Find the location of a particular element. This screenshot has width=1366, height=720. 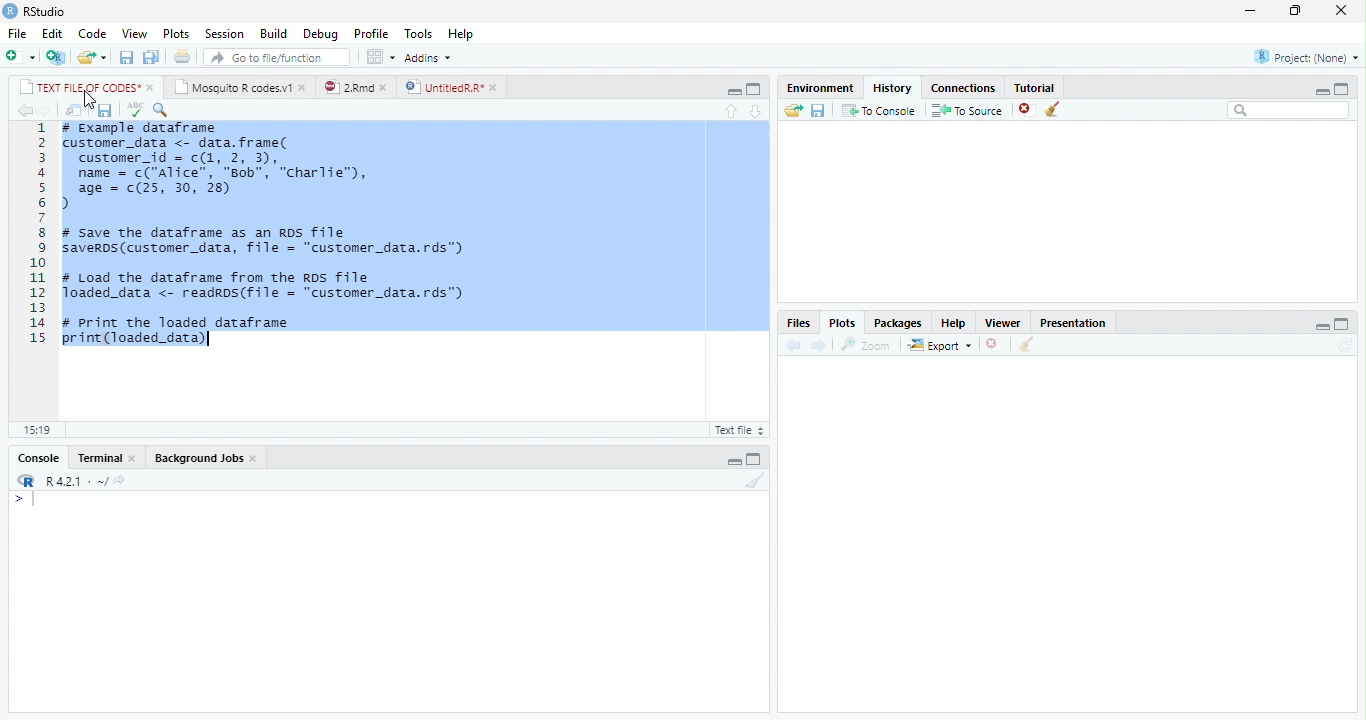

logo is located at coordinates (9, 11).